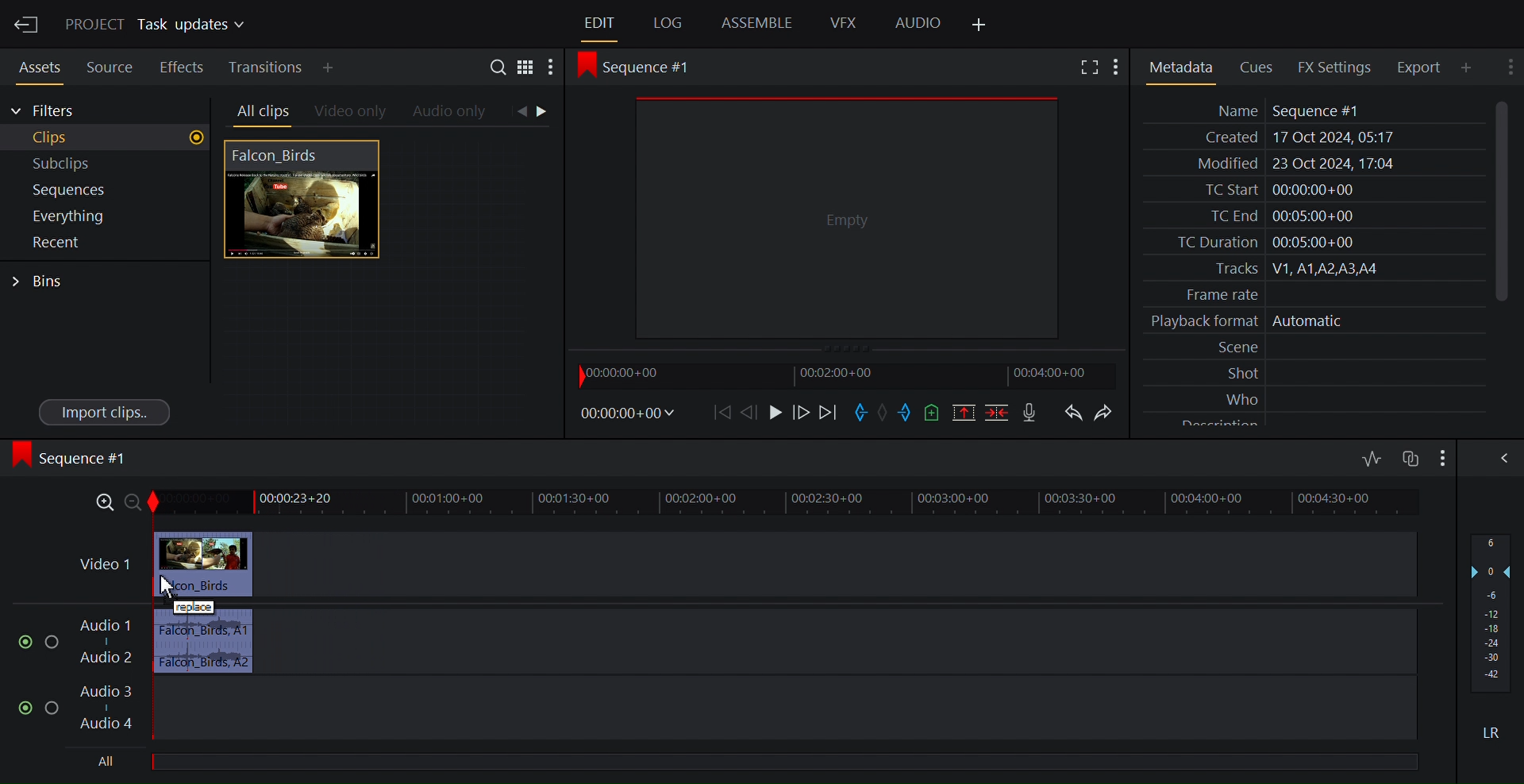 The width and height of the screenshot is (1524, 784). Describe the element at coordinates (135, 502) in the screenshot. I see `zoom out` at that location.